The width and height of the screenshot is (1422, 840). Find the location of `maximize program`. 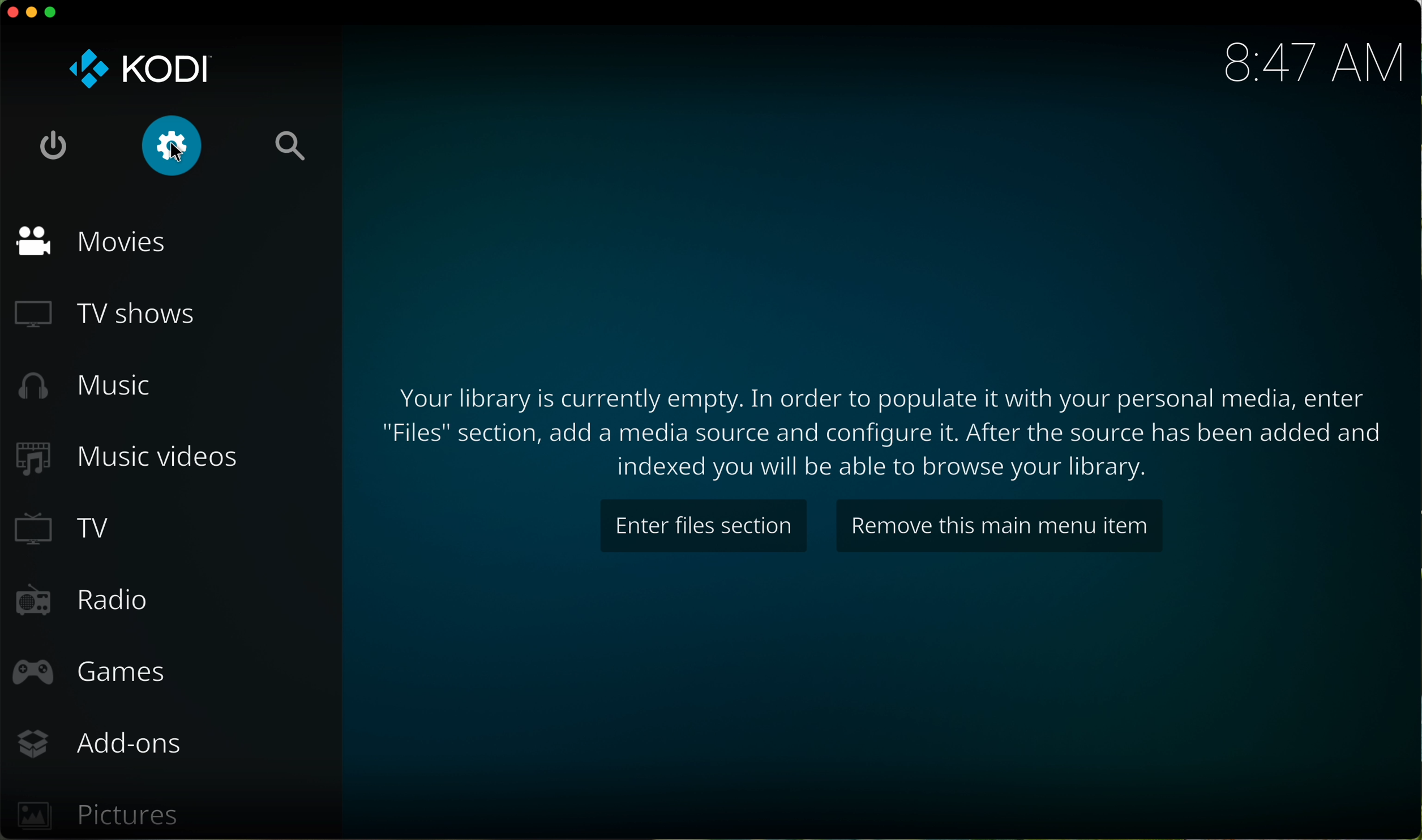

maximize program is located at coordinates (52, 14).